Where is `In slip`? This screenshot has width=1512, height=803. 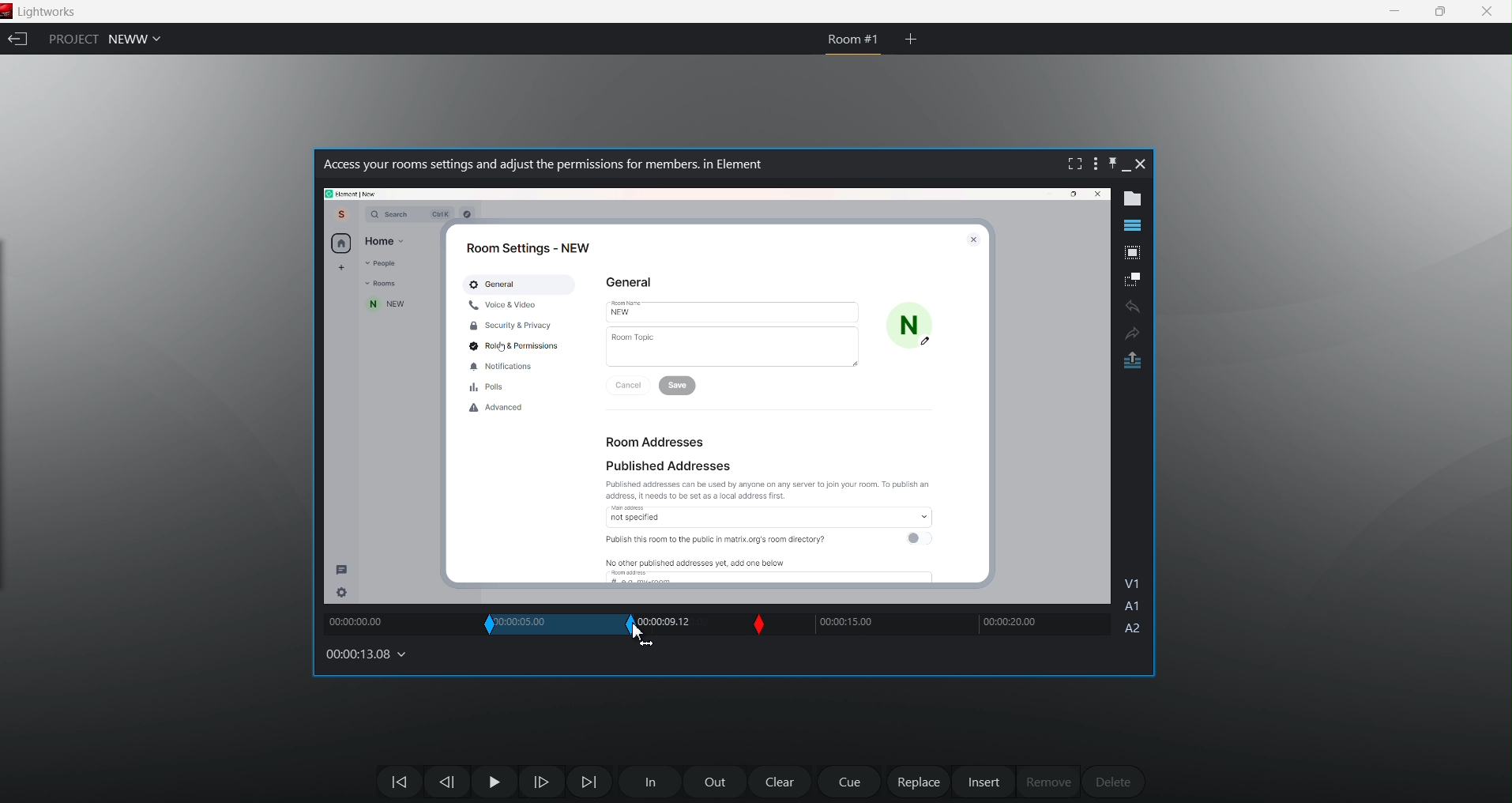 In slip is located at coordinates (491, 624).